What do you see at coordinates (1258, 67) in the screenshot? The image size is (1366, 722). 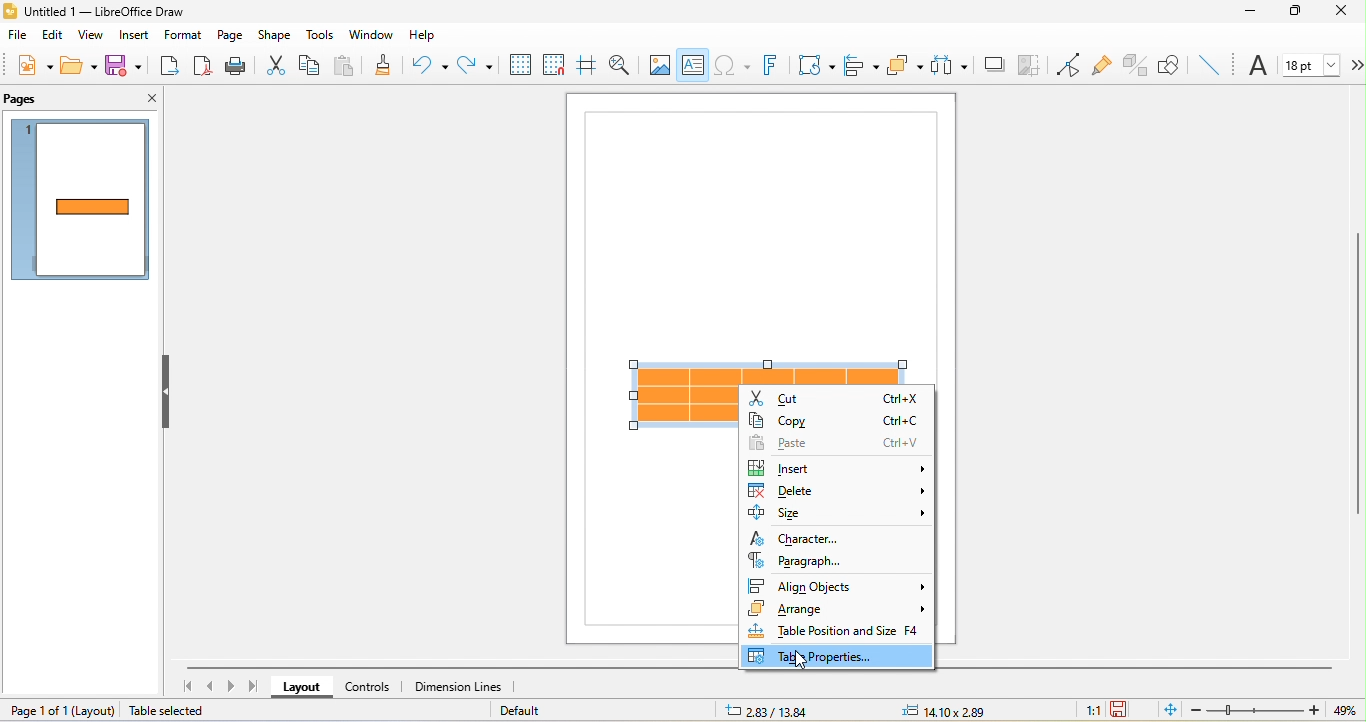 I see `font` at bounding box center [1258, 67].